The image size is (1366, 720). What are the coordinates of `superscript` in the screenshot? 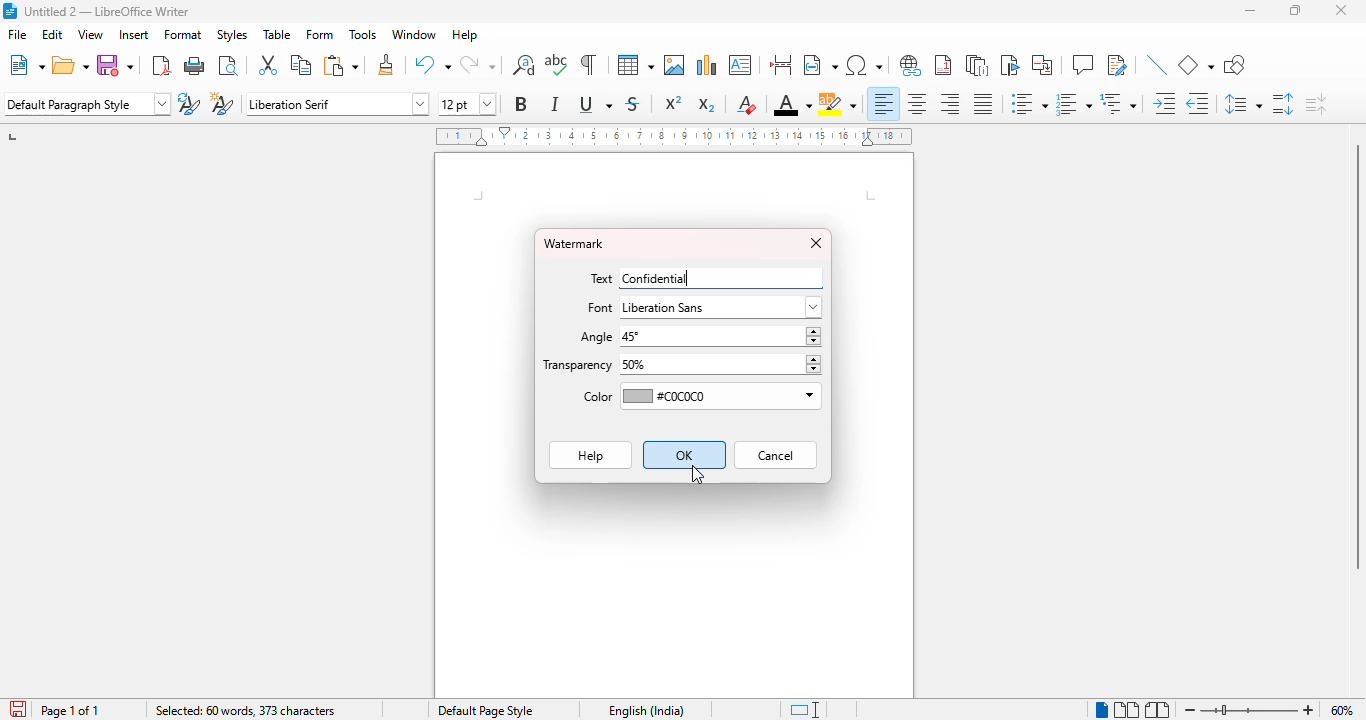 It's located at (673, 102).